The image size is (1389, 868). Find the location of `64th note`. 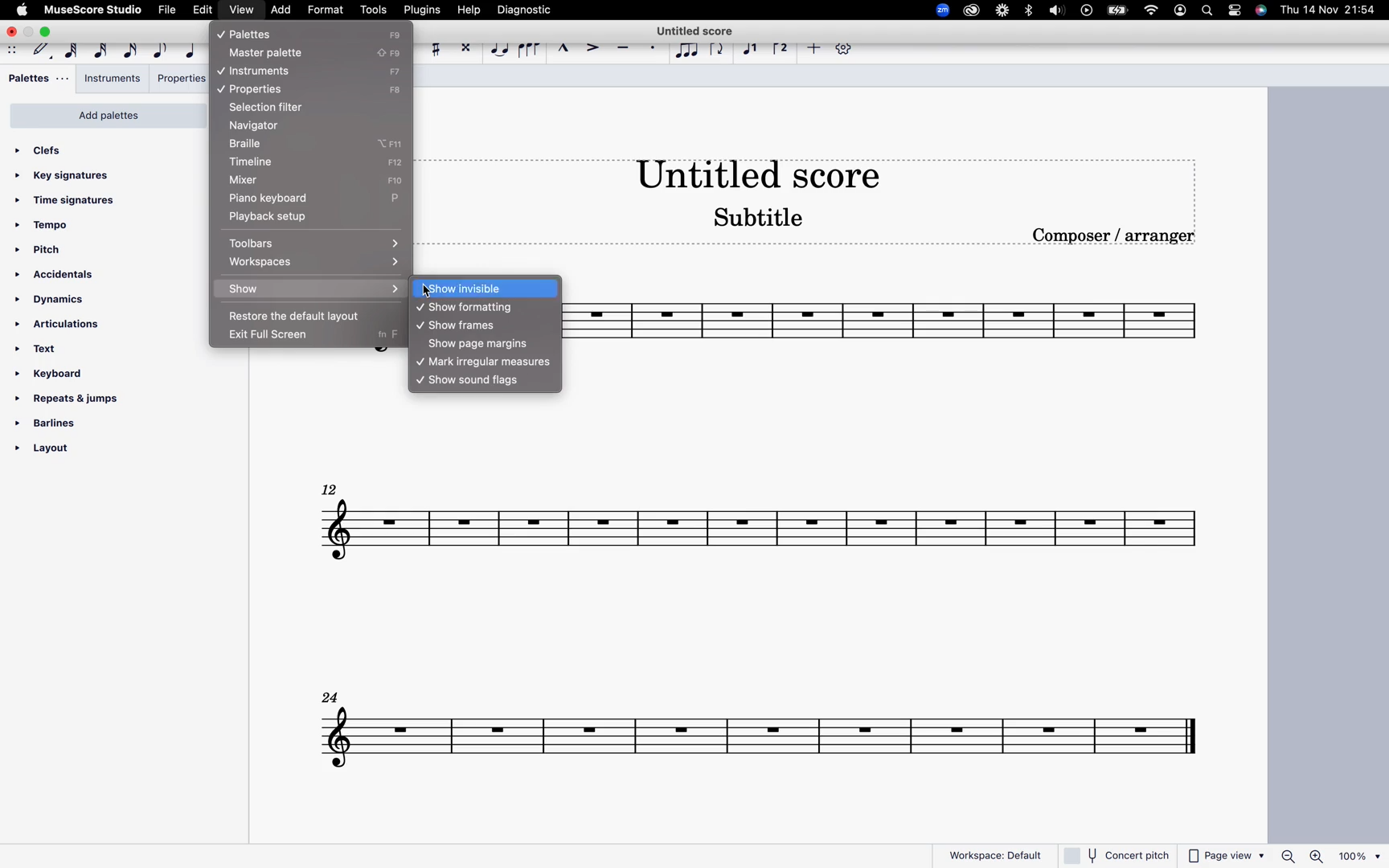

64th note is located at coordinates (70, 51).